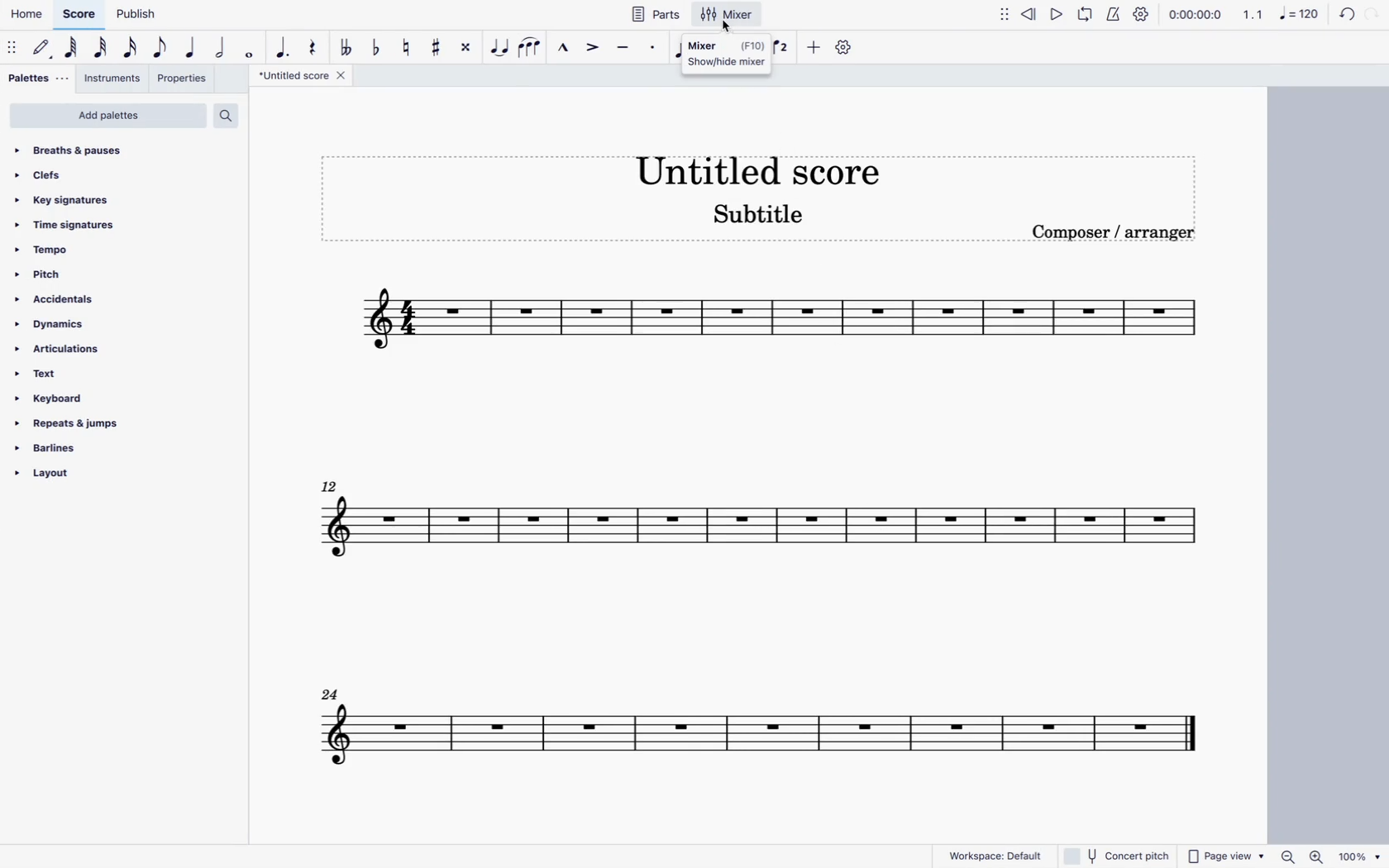  I want to click on scale, so click(1281, 13).